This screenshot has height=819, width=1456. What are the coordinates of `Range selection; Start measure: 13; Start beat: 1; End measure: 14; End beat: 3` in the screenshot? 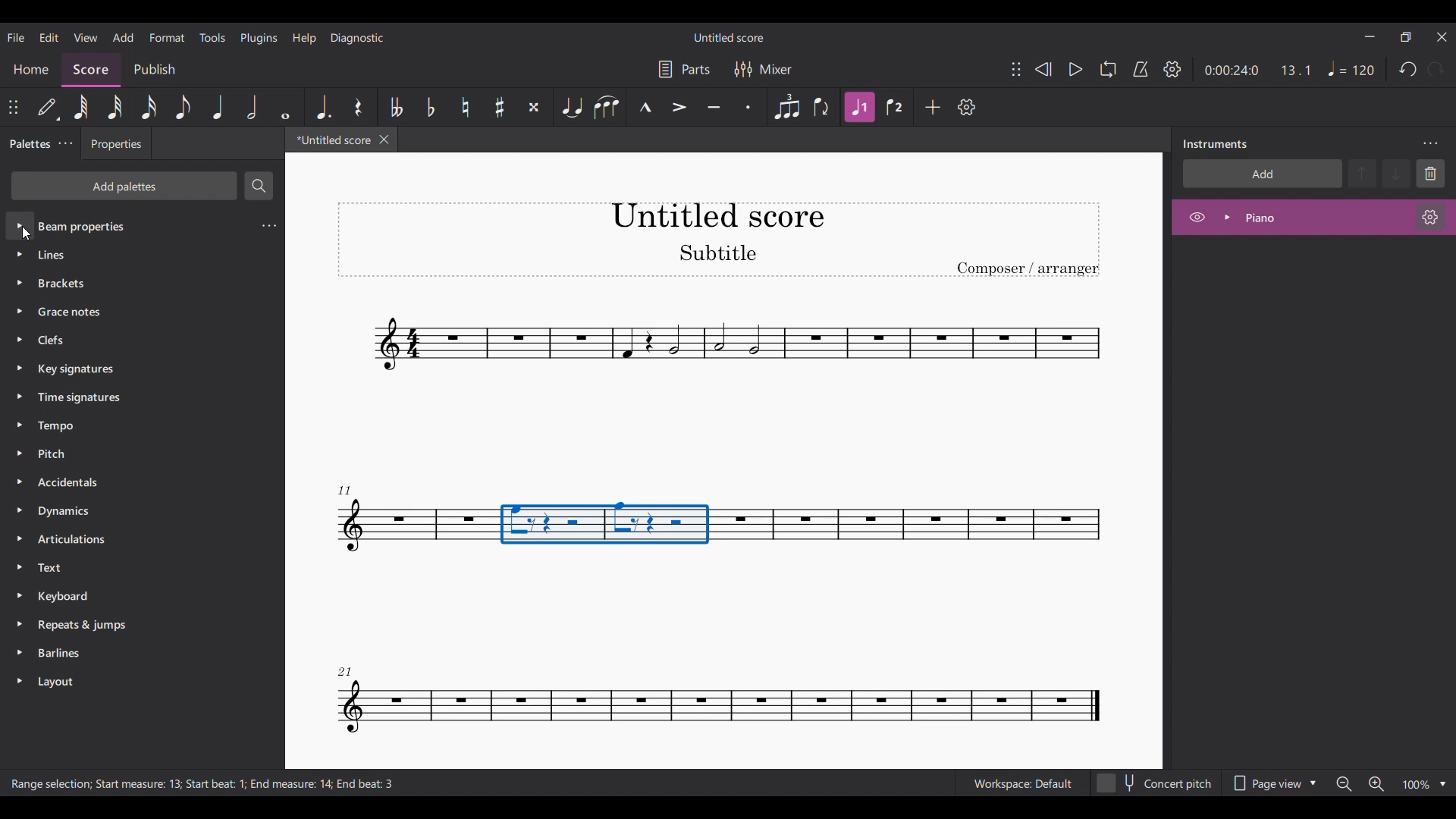 It's located at (217, 784).